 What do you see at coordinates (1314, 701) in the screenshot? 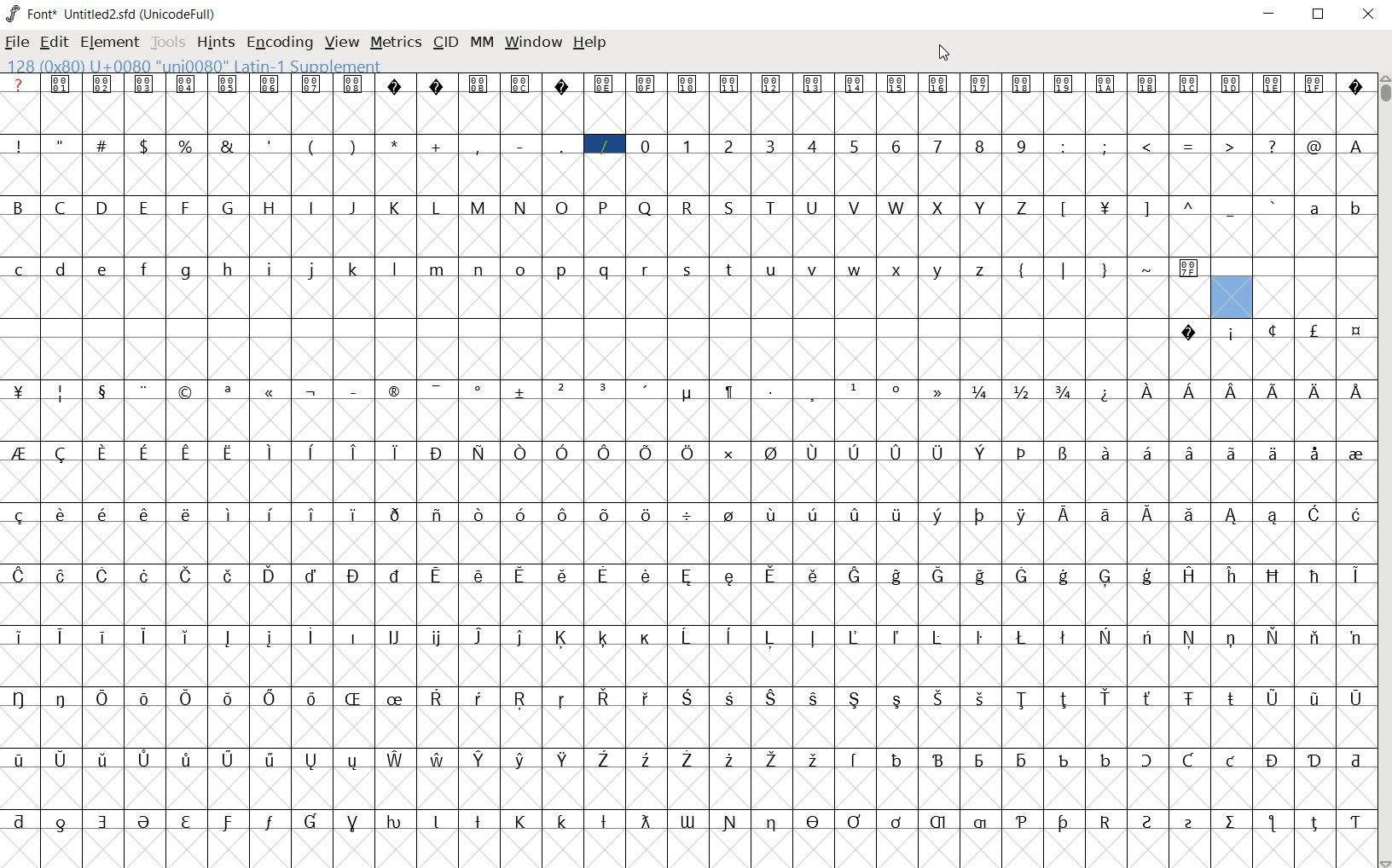
I see `glyph` at bounding box center [1314, 701].